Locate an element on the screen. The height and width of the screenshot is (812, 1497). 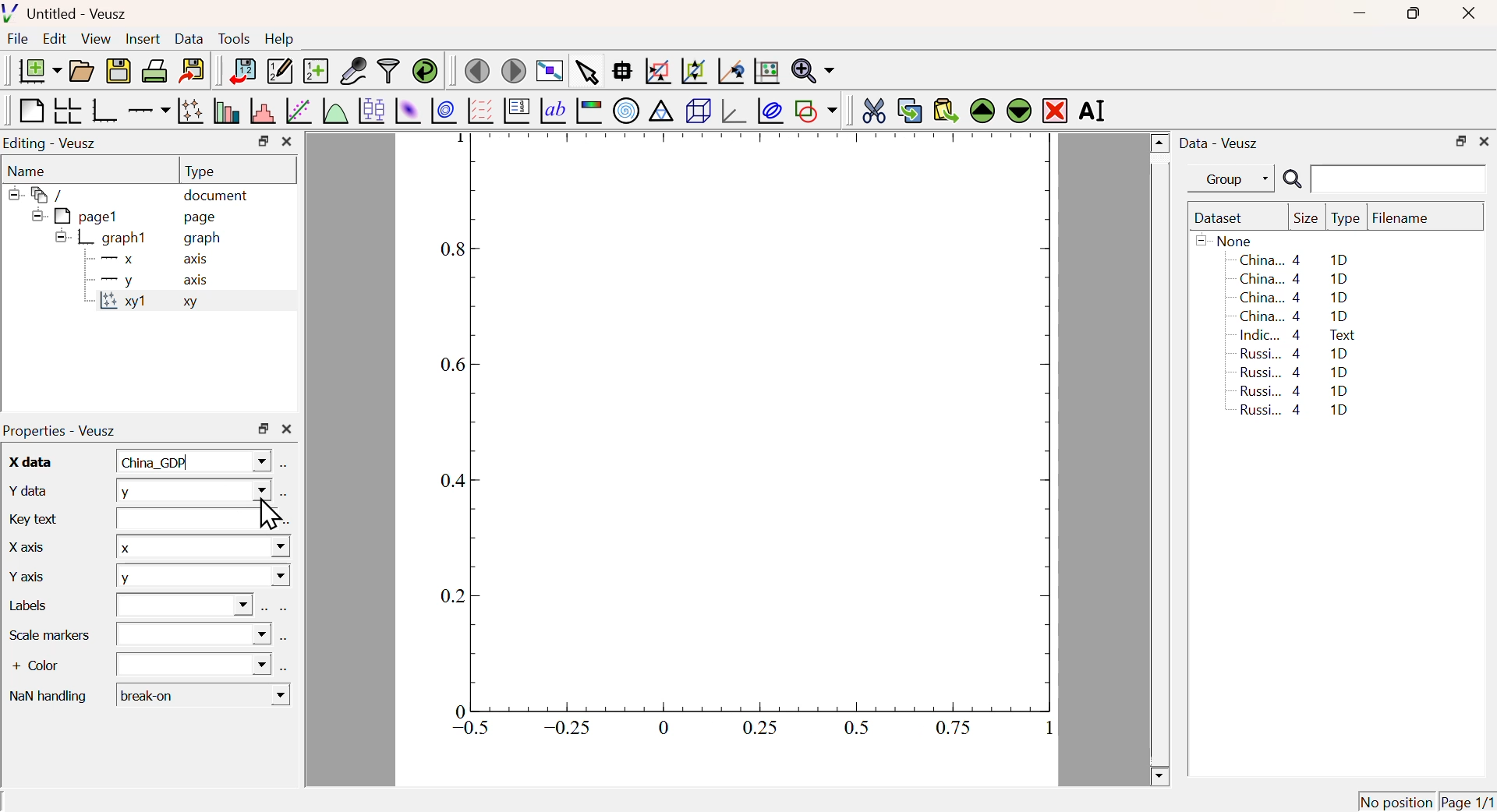
Blank Page is located at coordinates (30, 111).